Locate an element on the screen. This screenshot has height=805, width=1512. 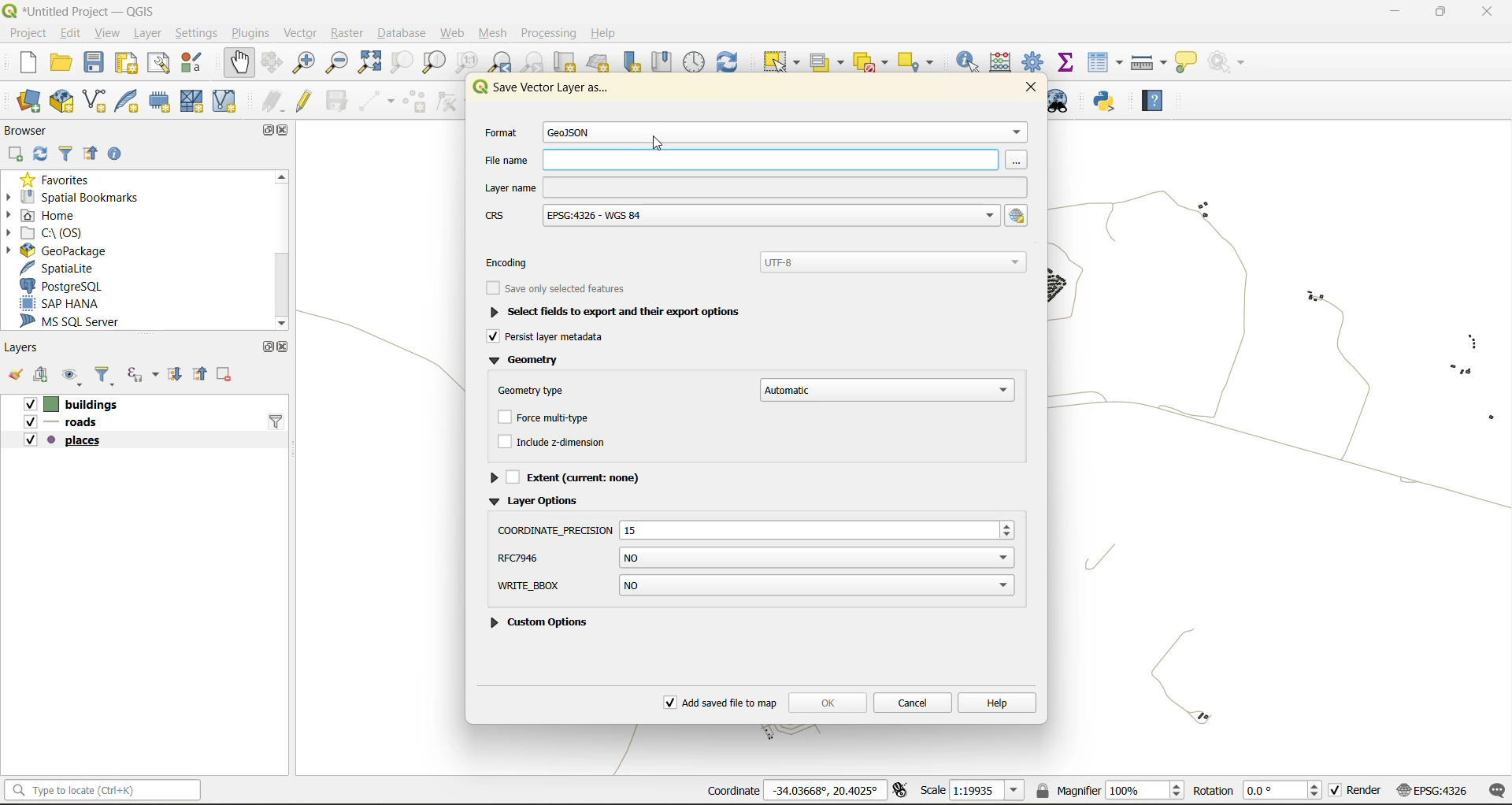
pan map is located at coordinates (242, 62).